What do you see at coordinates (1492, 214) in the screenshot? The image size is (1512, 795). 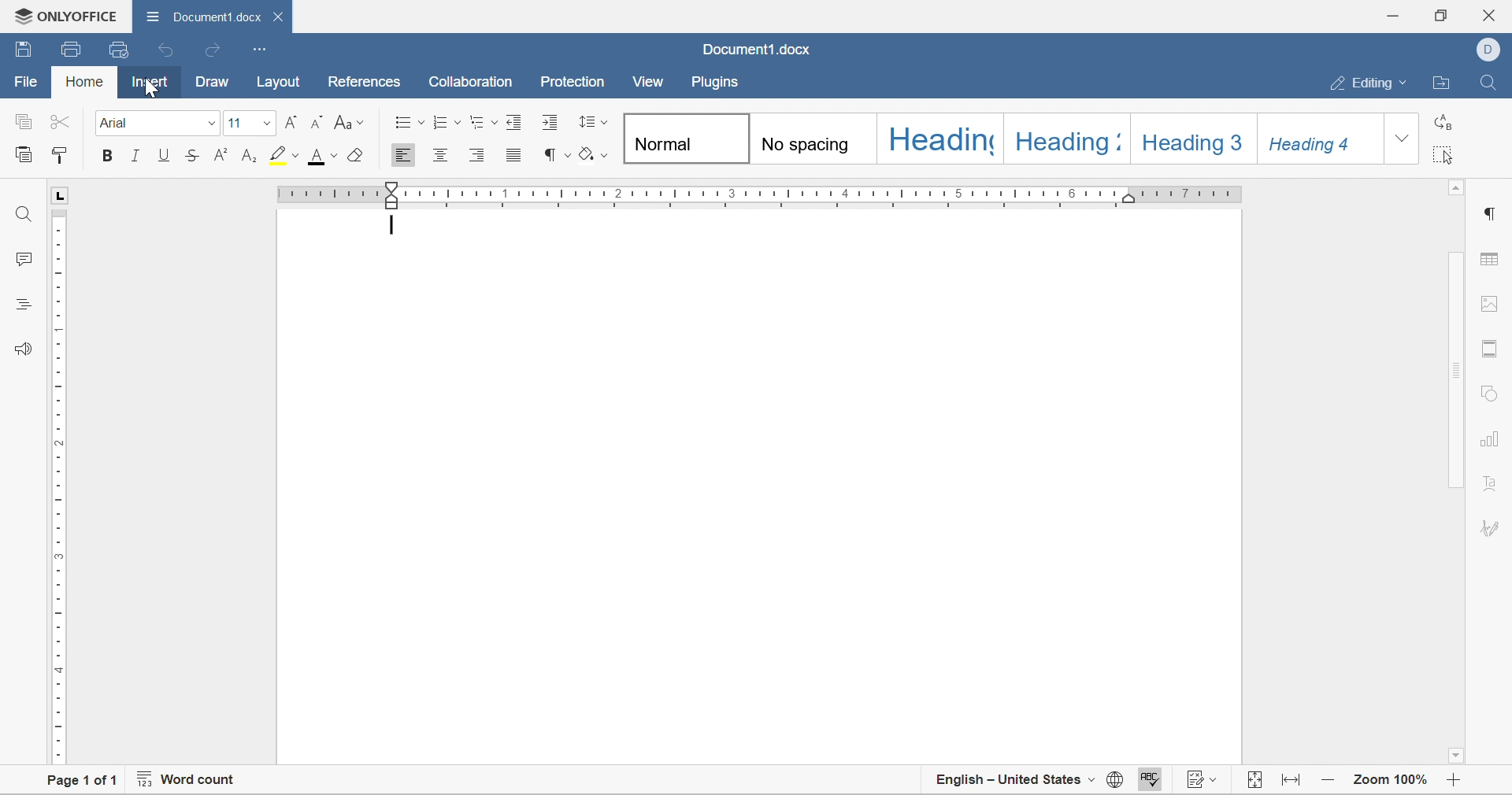 I see `Paragraph settings` at bounding box center [1492, 214].